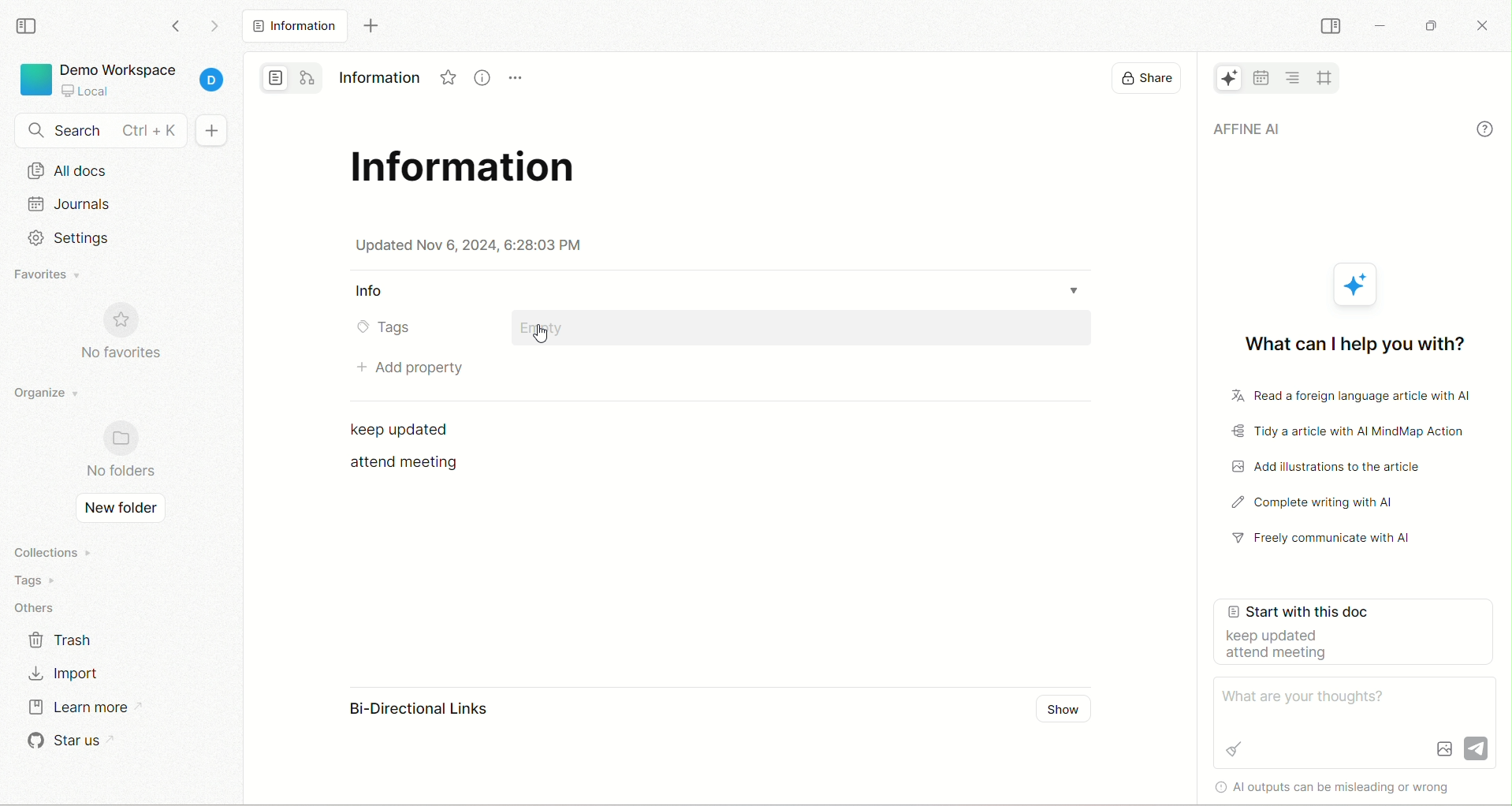 The image size is (1512, 806). Describe the element at coordinates (1294, 76) in the screenshot. I see `table of content` at that location.